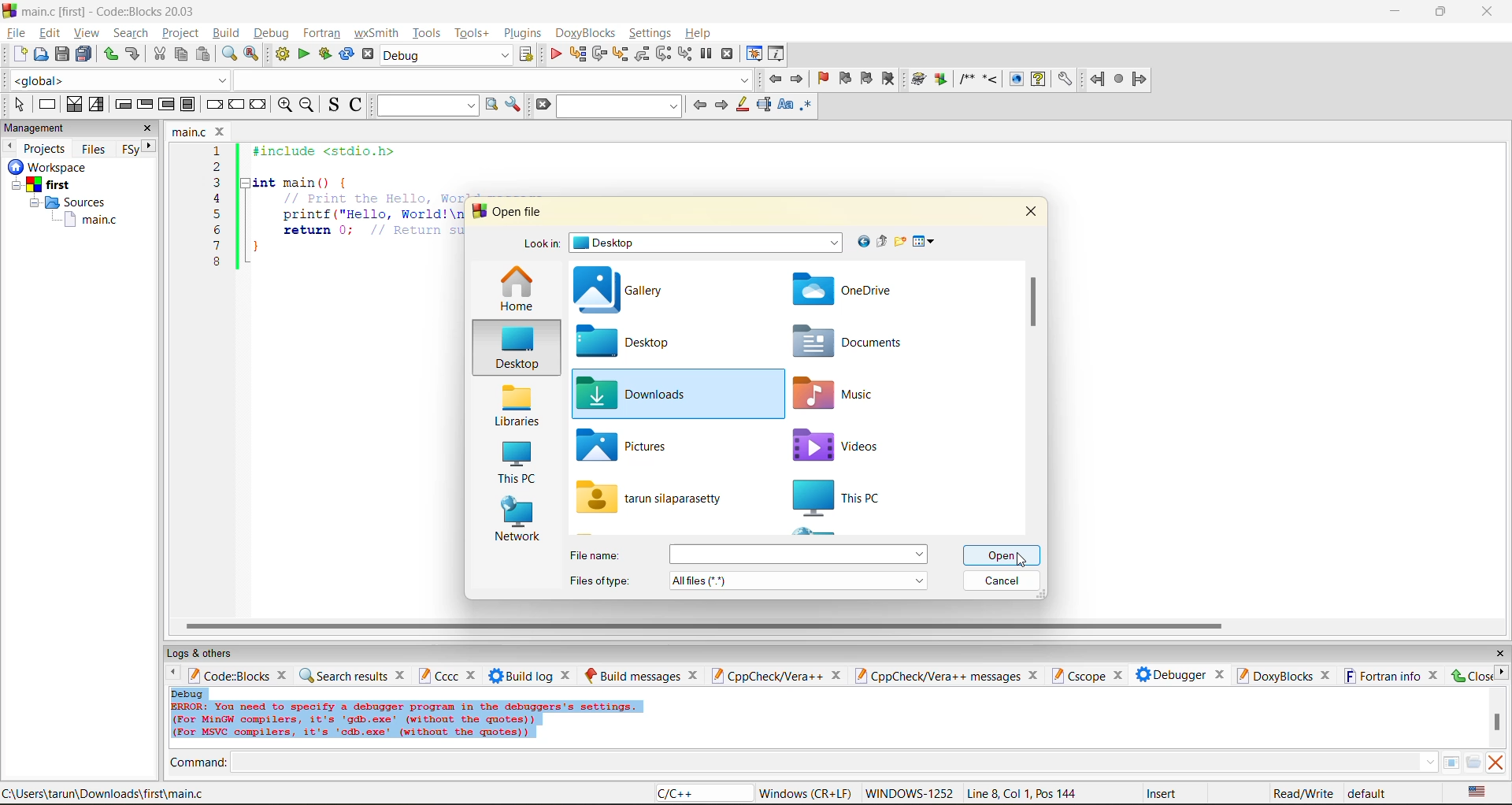  I want to click on run, so click(304, 54).